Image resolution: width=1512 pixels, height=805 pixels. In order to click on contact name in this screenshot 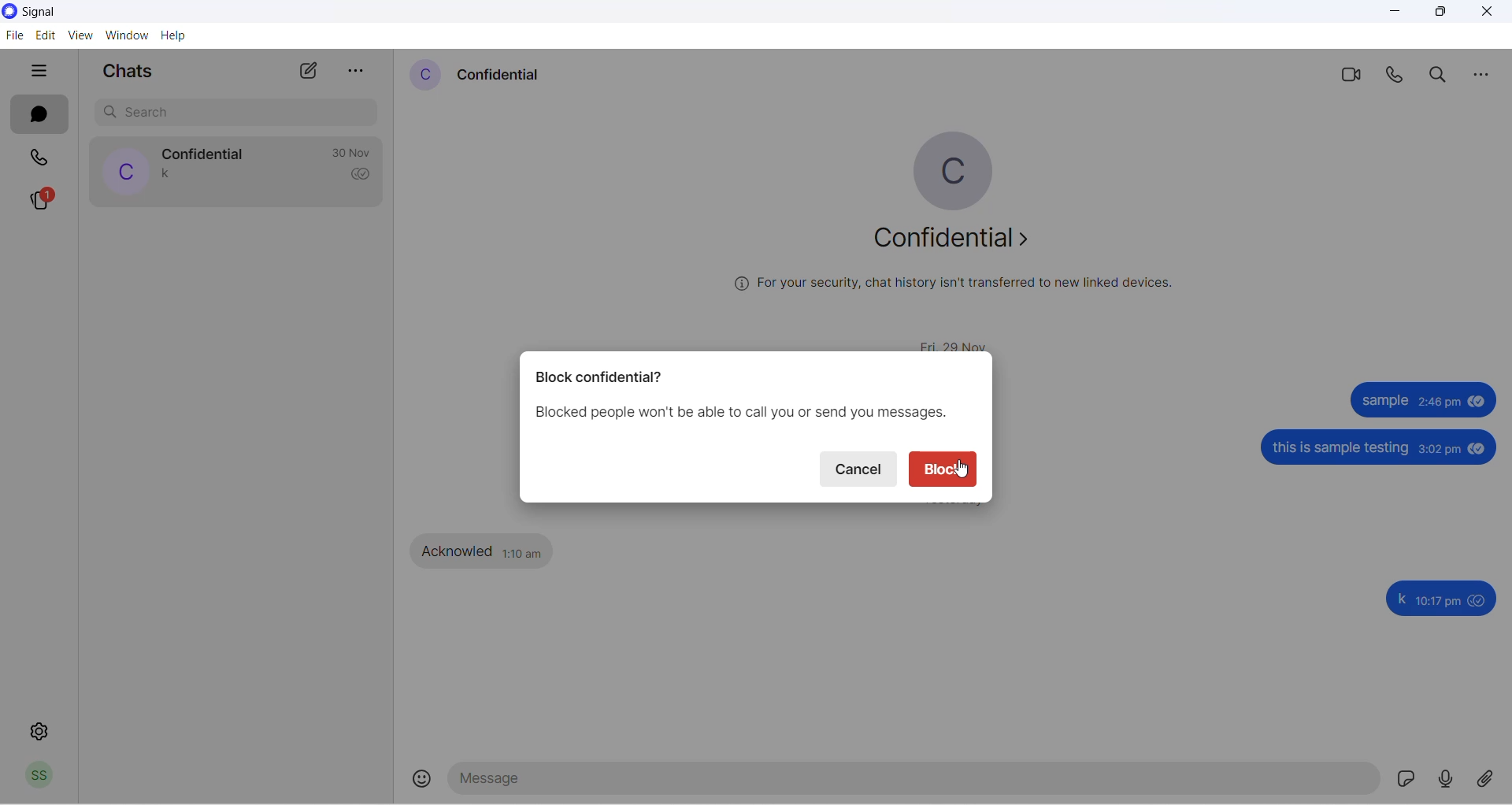, I will do `click(510, 76)`.